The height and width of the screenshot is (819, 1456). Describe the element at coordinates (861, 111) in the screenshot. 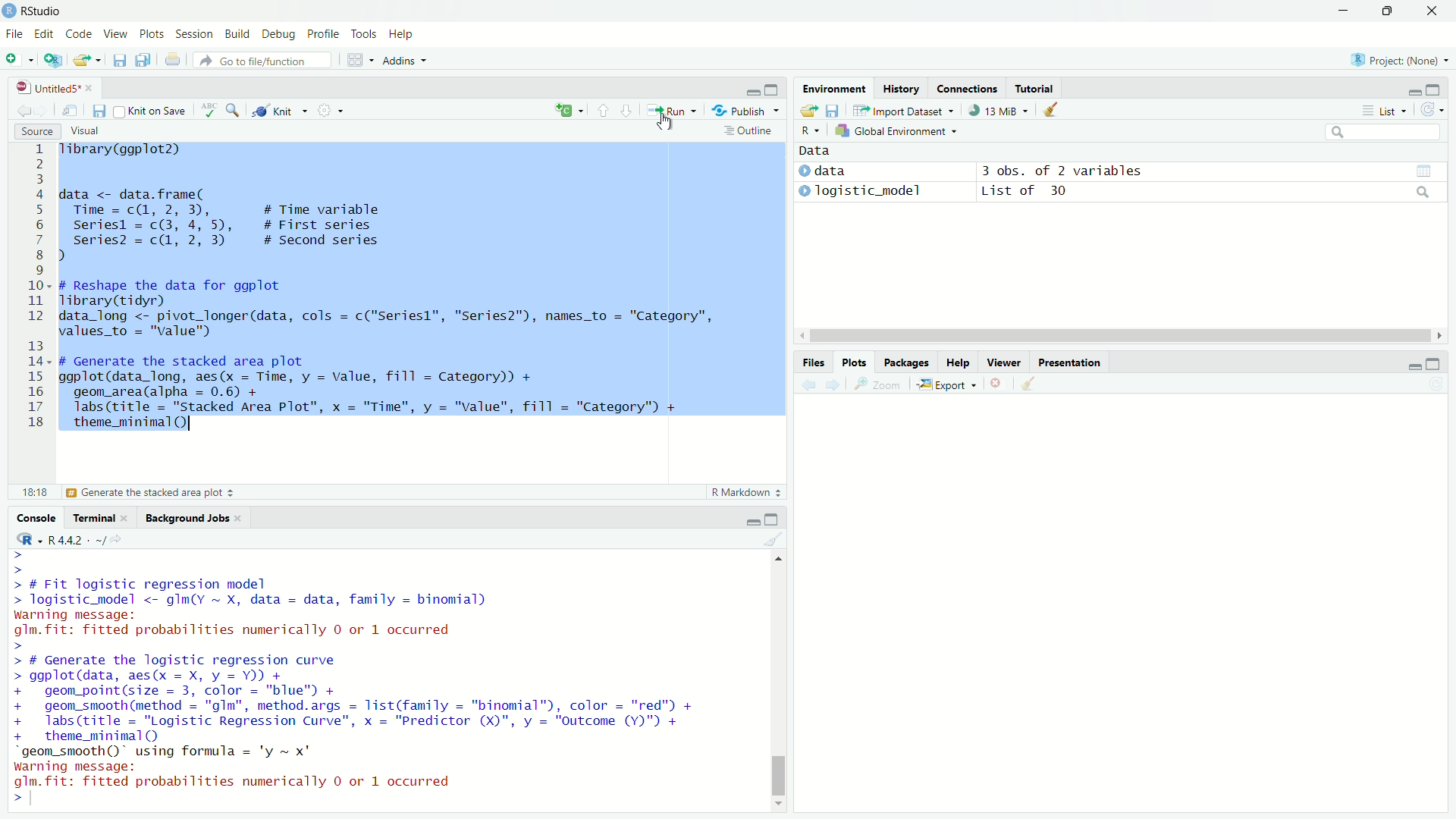

I see `move` at that location.